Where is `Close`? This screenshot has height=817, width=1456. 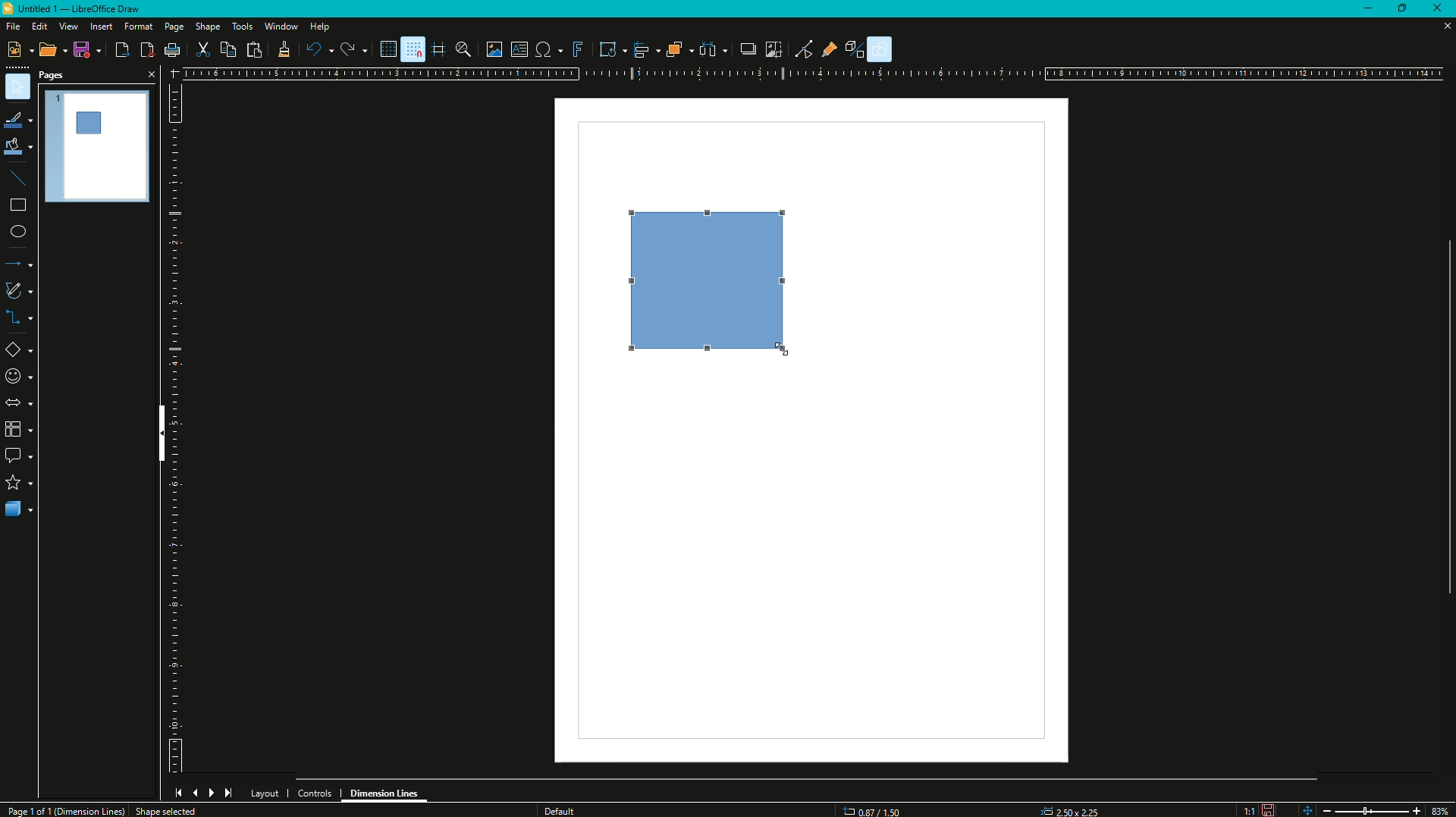 Close is located at coordinates (149, 74).